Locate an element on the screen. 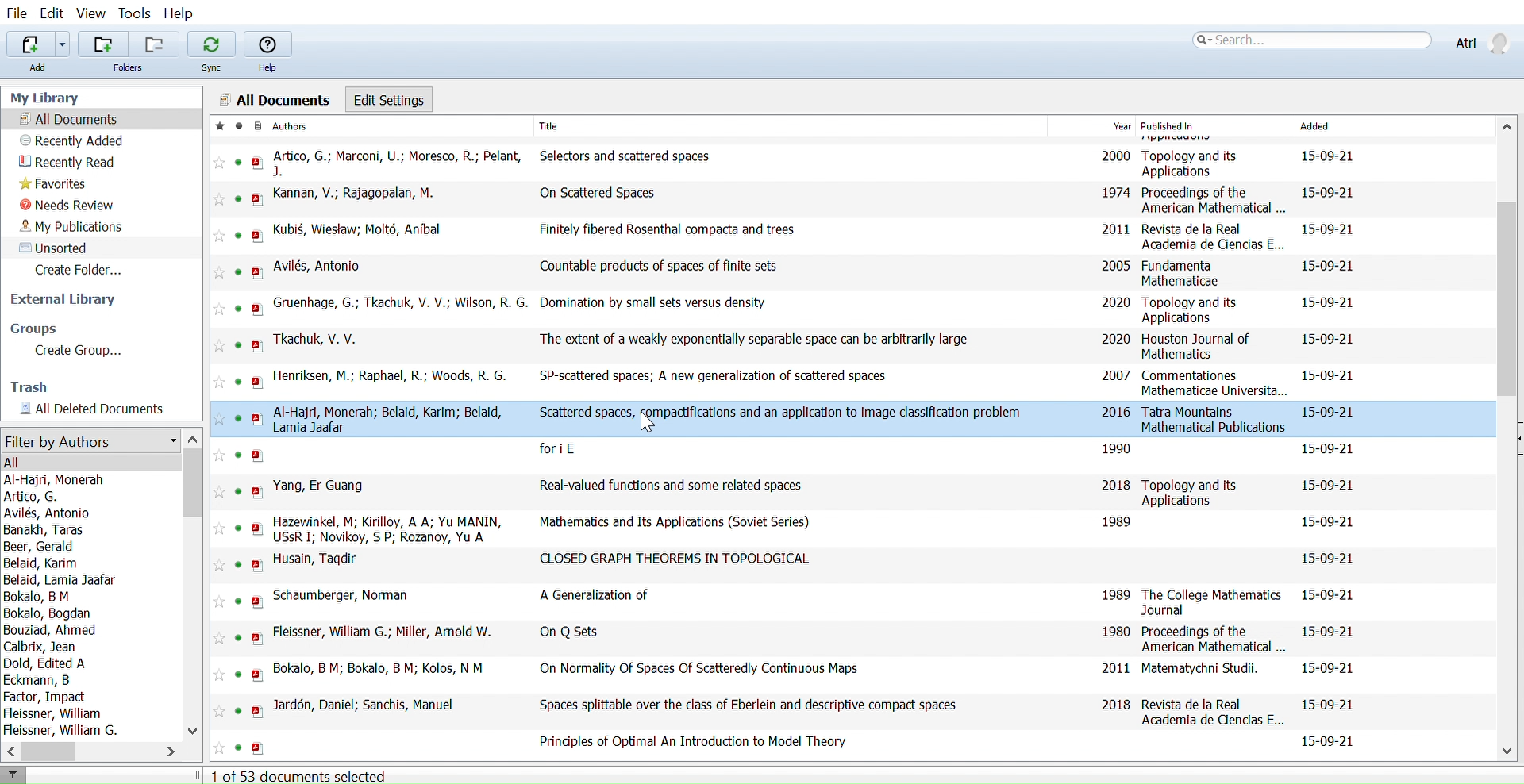 This screenshot has width=1524, height=784. Al-Hajri, Monerah is located at coordinates (60, 478).